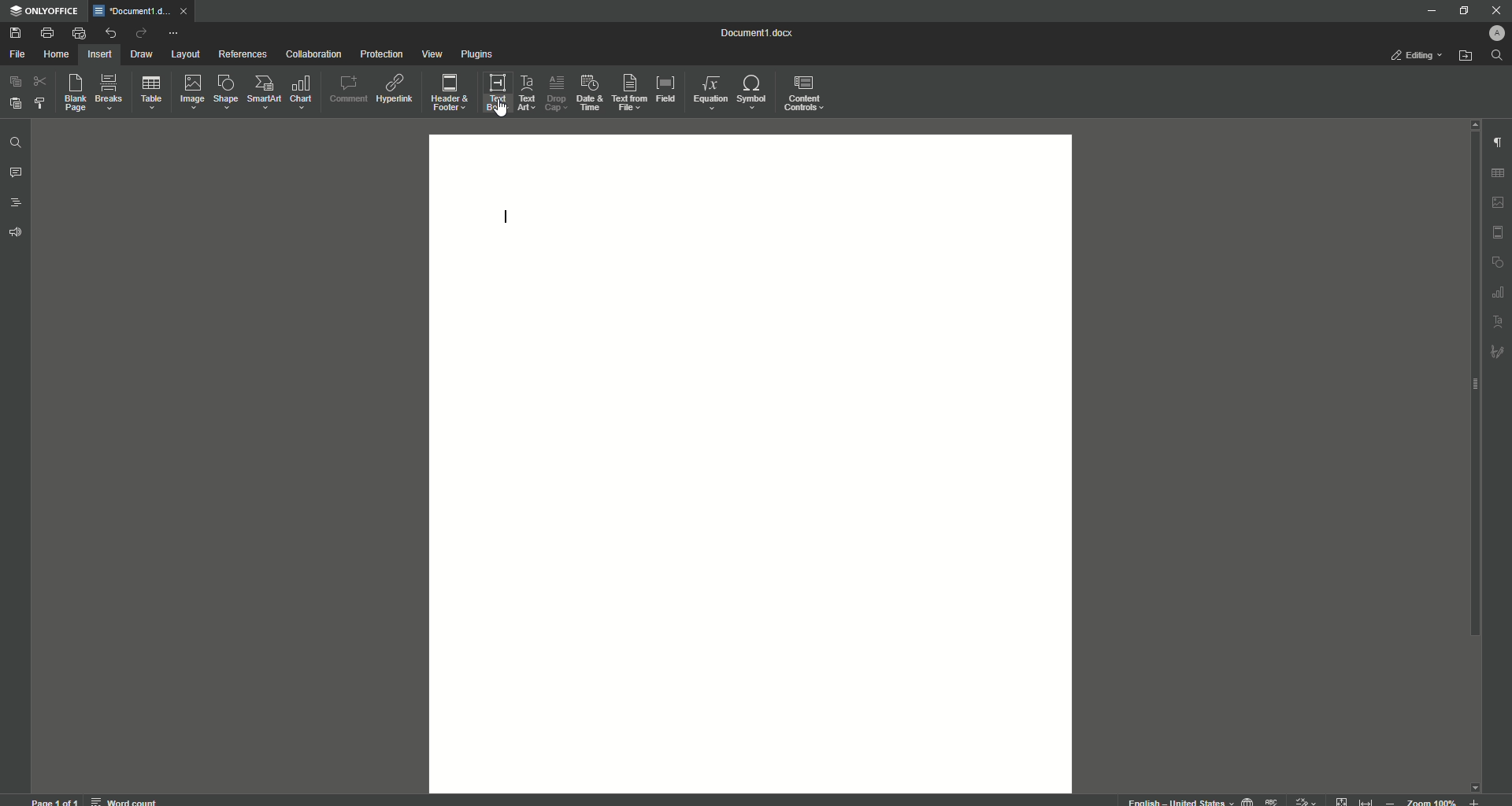 The height and width of the screenshot is (806, 1512). What do you see at coordinates (76, 92) in the screenshot?
I see `Blank Page` at bounding box center [76, 92].